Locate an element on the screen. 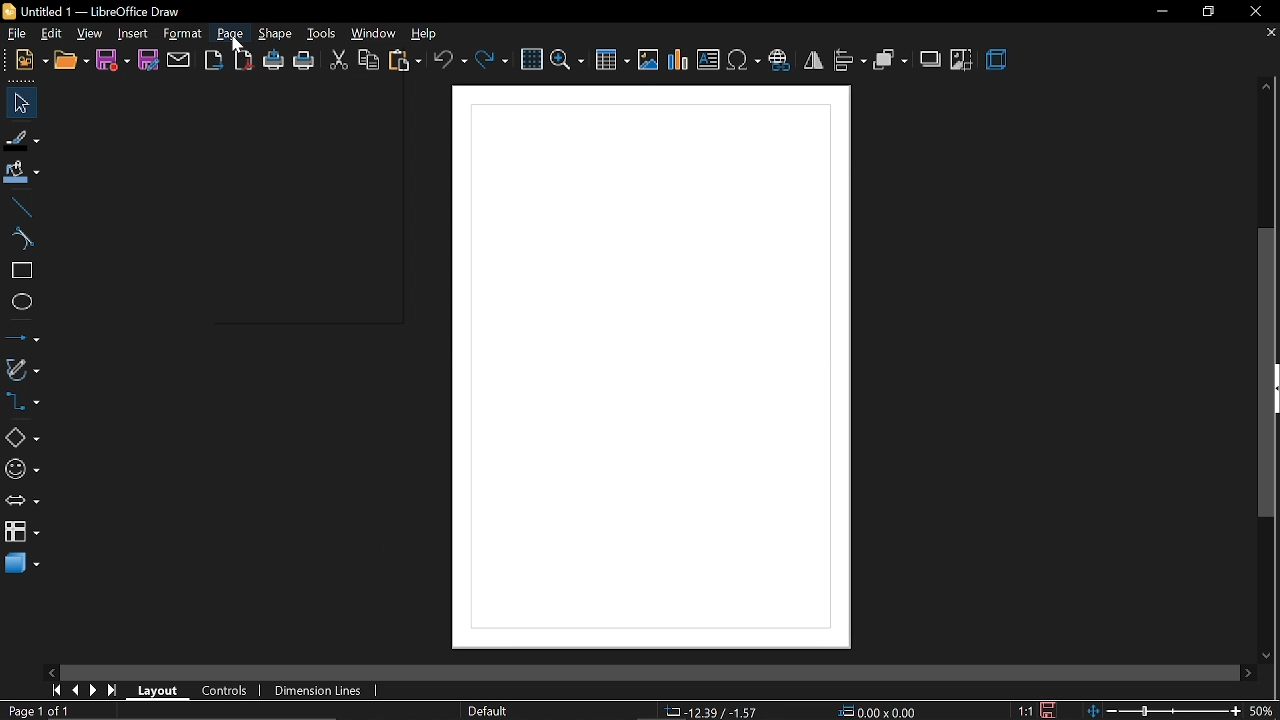  undo is located at coordinates (450, 61).